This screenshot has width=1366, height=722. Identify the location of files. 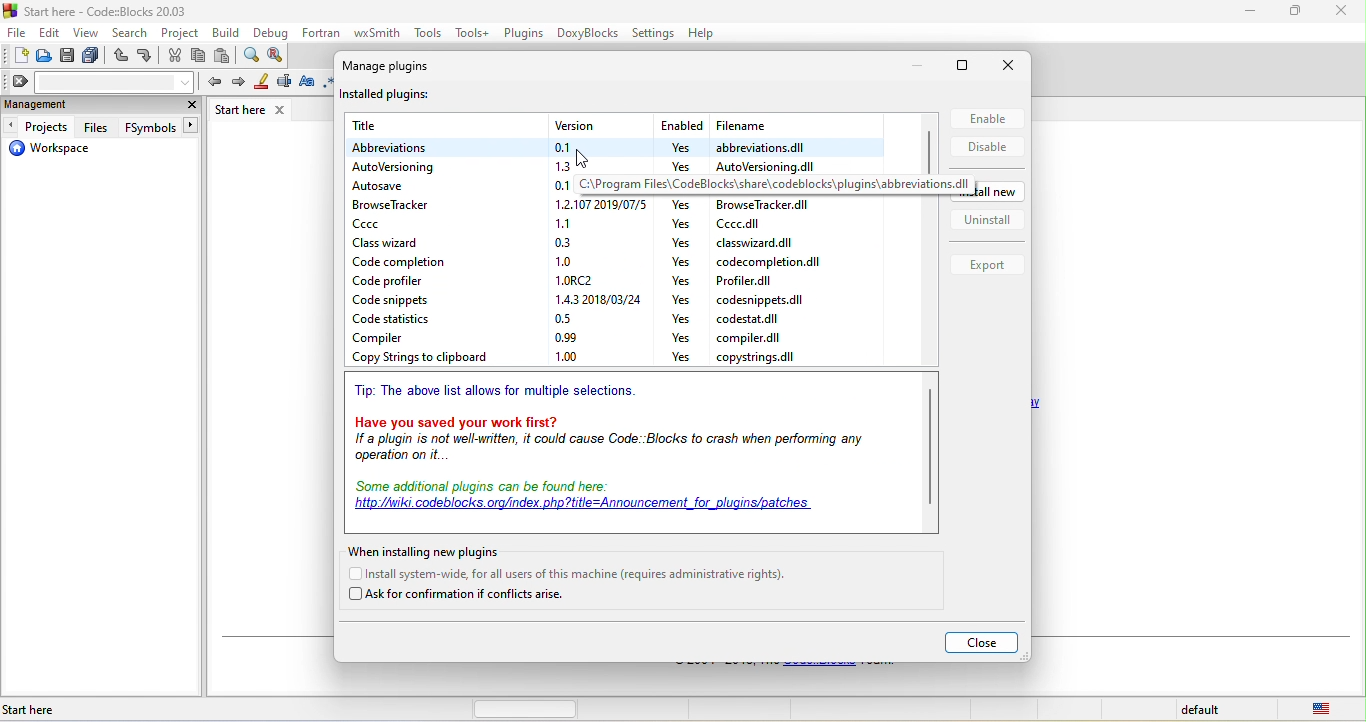
(99, 127).